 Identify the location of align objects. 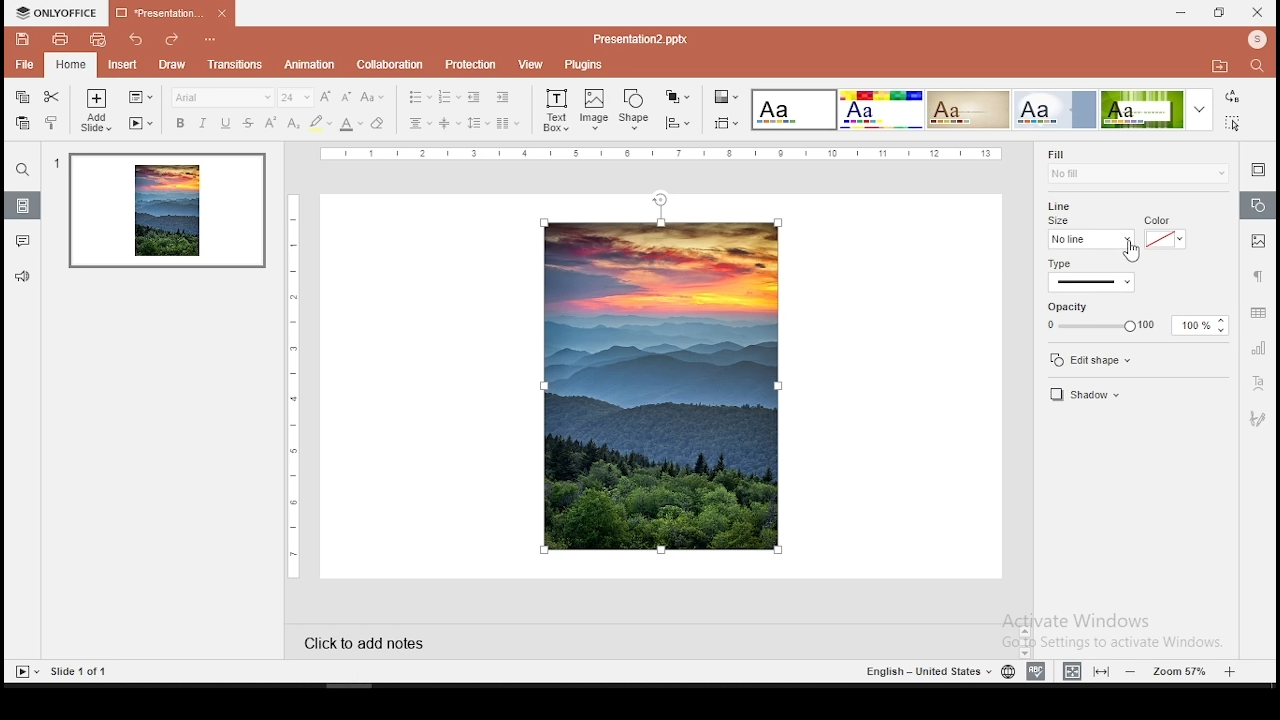
(677, 122).